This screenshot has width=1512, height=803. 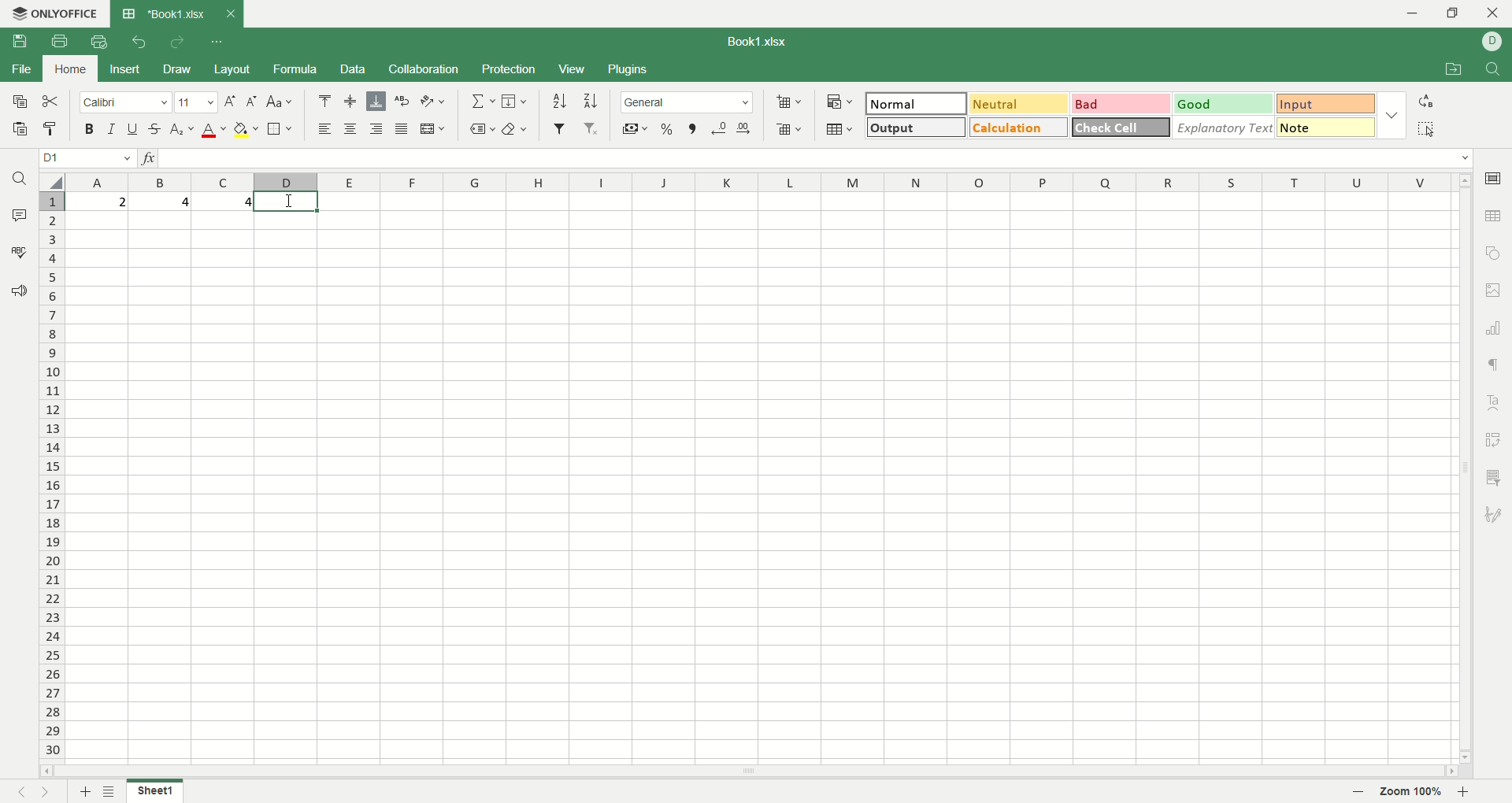 What do you see at coordinates (517, 102) in the screenshot?
I see `fill` at bounding box center [517, 102].